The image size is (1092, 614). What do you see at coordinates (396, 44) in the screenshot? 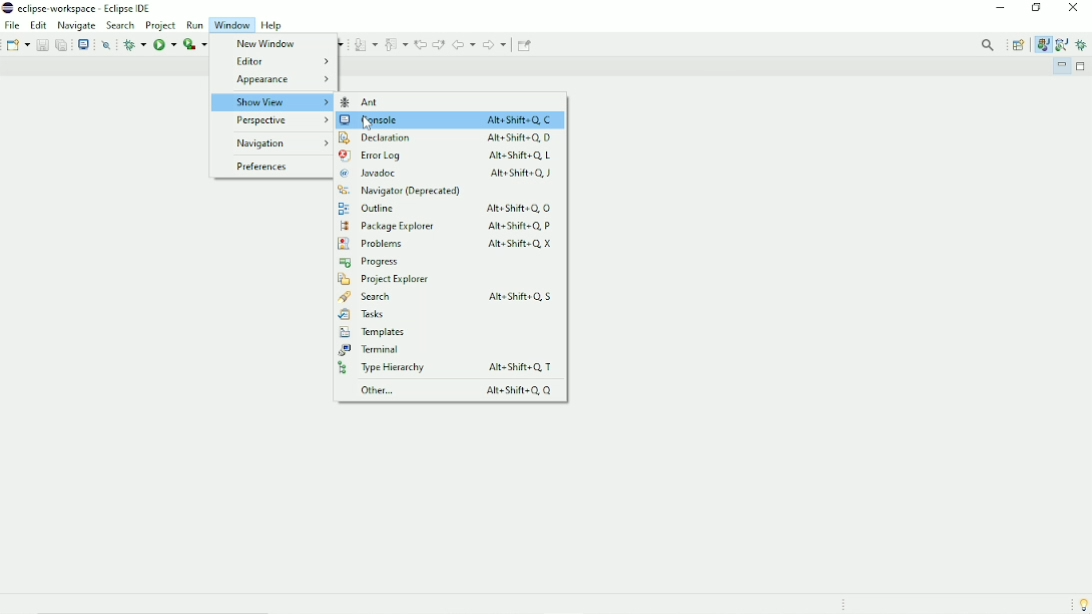
I see `Previous Annotation` at bounding box center [396, 44].